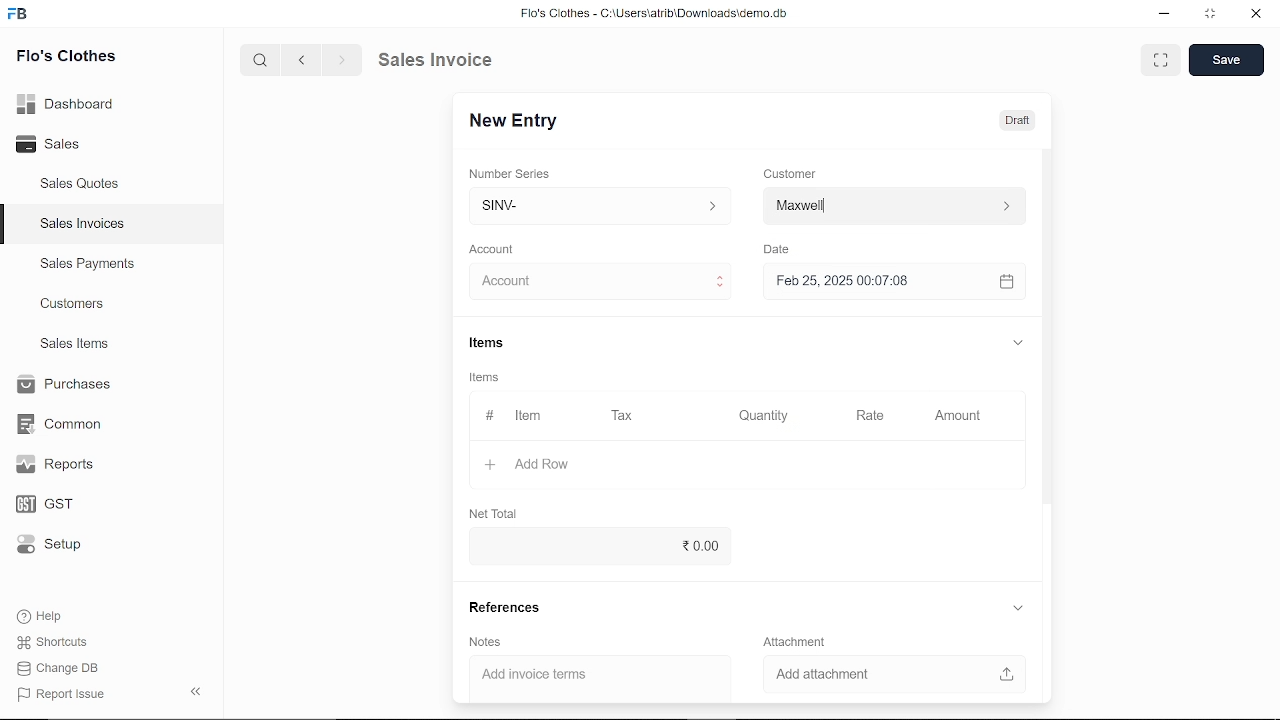 The width and height of the screenshot is (1280, 720). Describe the element at coordinates (82, 224) in the screenshot. I see `Sales Invoices` at that location.